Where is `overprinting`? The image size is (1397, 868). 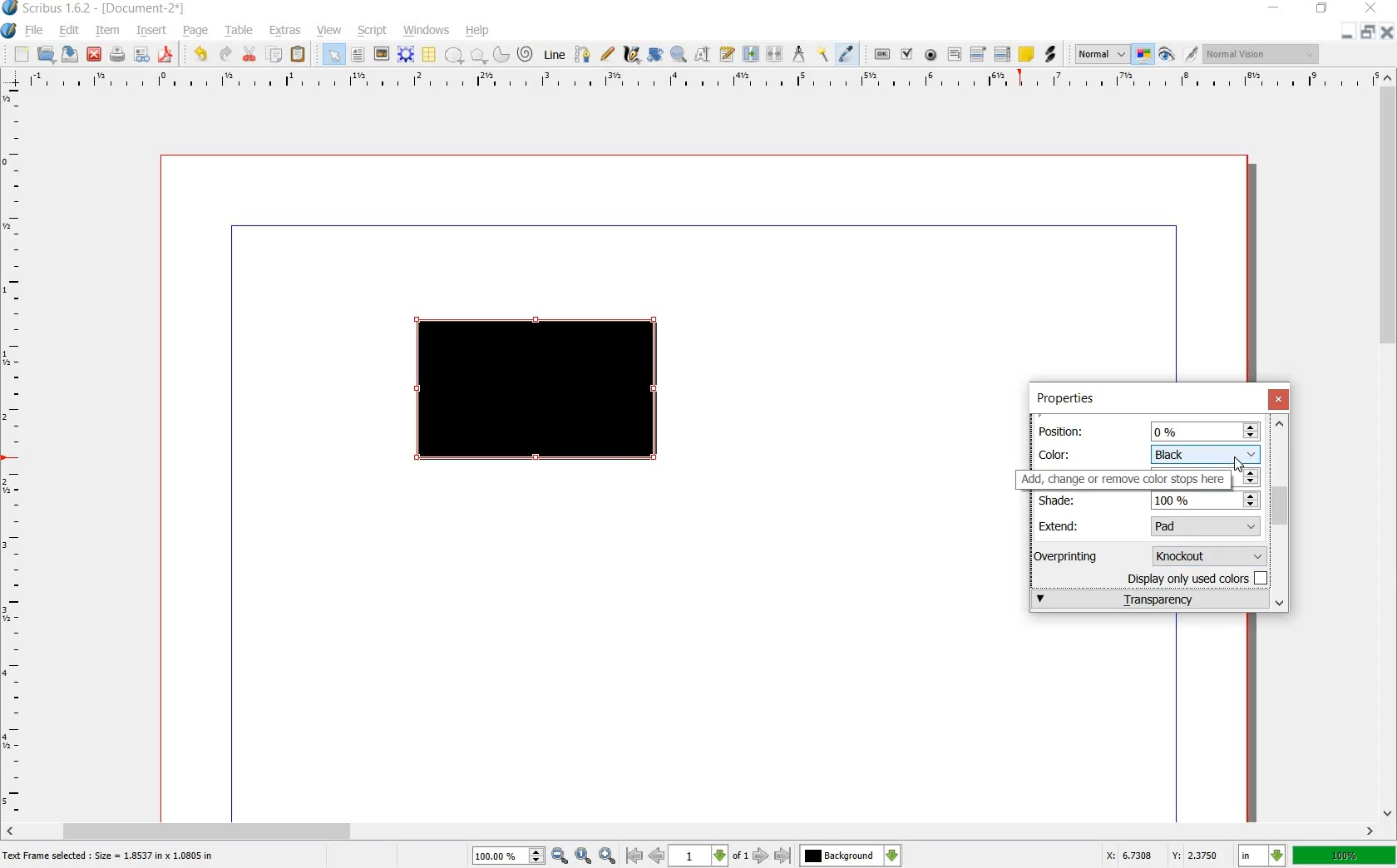
overprinting is located at coordinates (1074, 555).